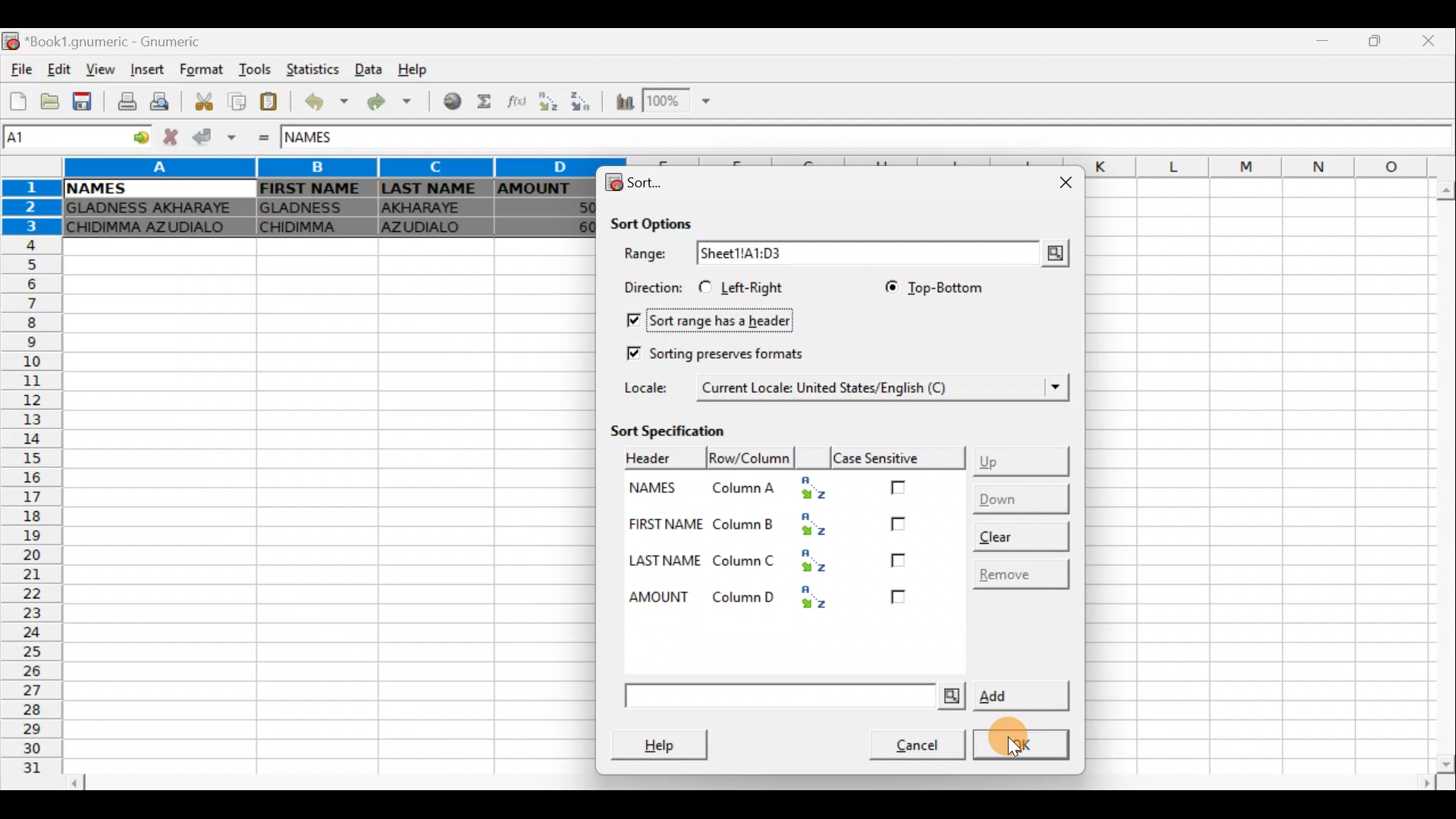 The width and height of the screenshot is (1456, 819). I want to click on Zoom, so click(681, 99).